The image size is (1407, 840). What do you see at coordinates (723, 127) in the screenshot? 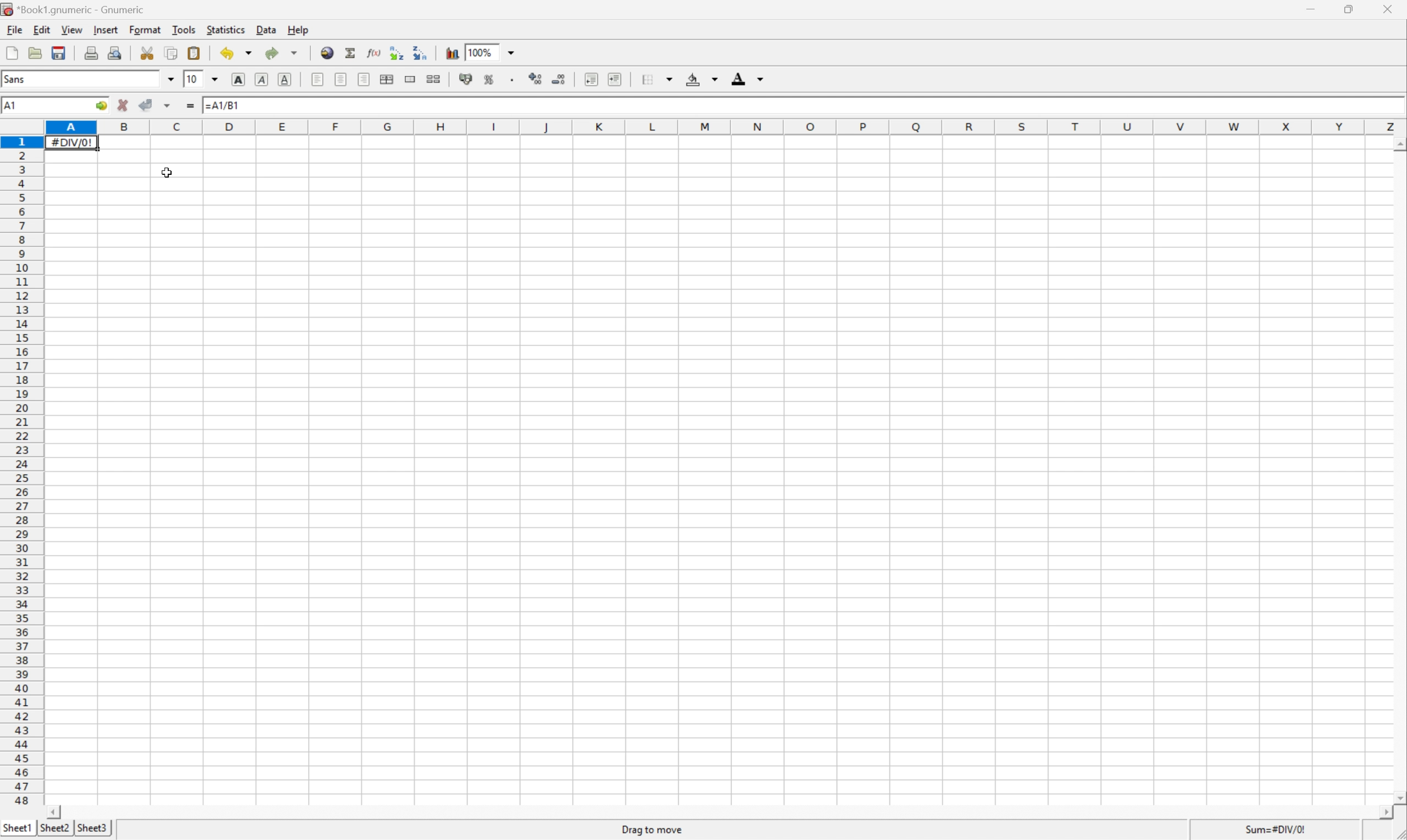
I see `Column names` at bounding box center [723, 127].